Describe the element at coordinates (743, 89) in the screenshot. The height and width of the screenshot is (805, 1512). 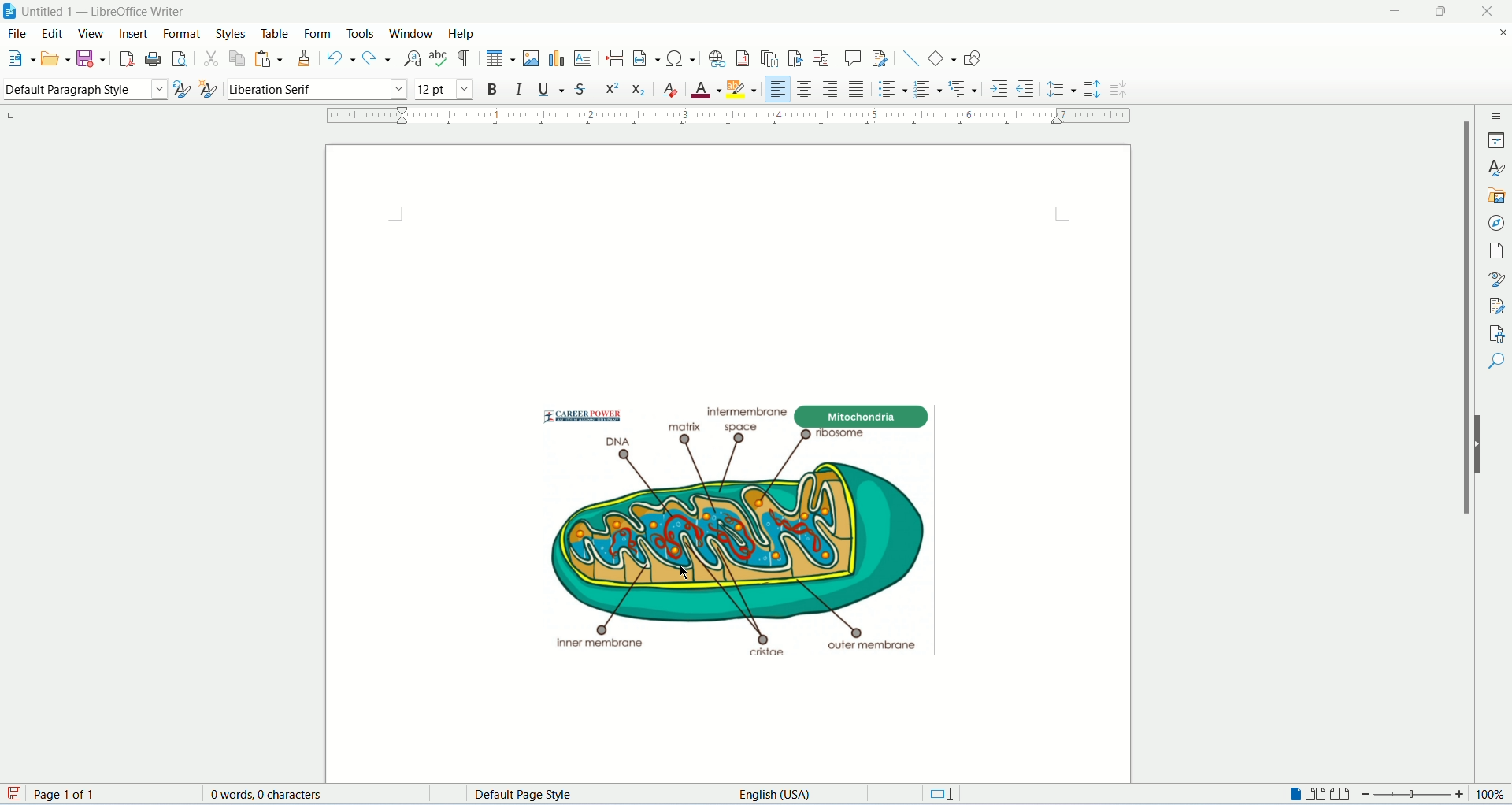
I see `text highlighting` at that location.